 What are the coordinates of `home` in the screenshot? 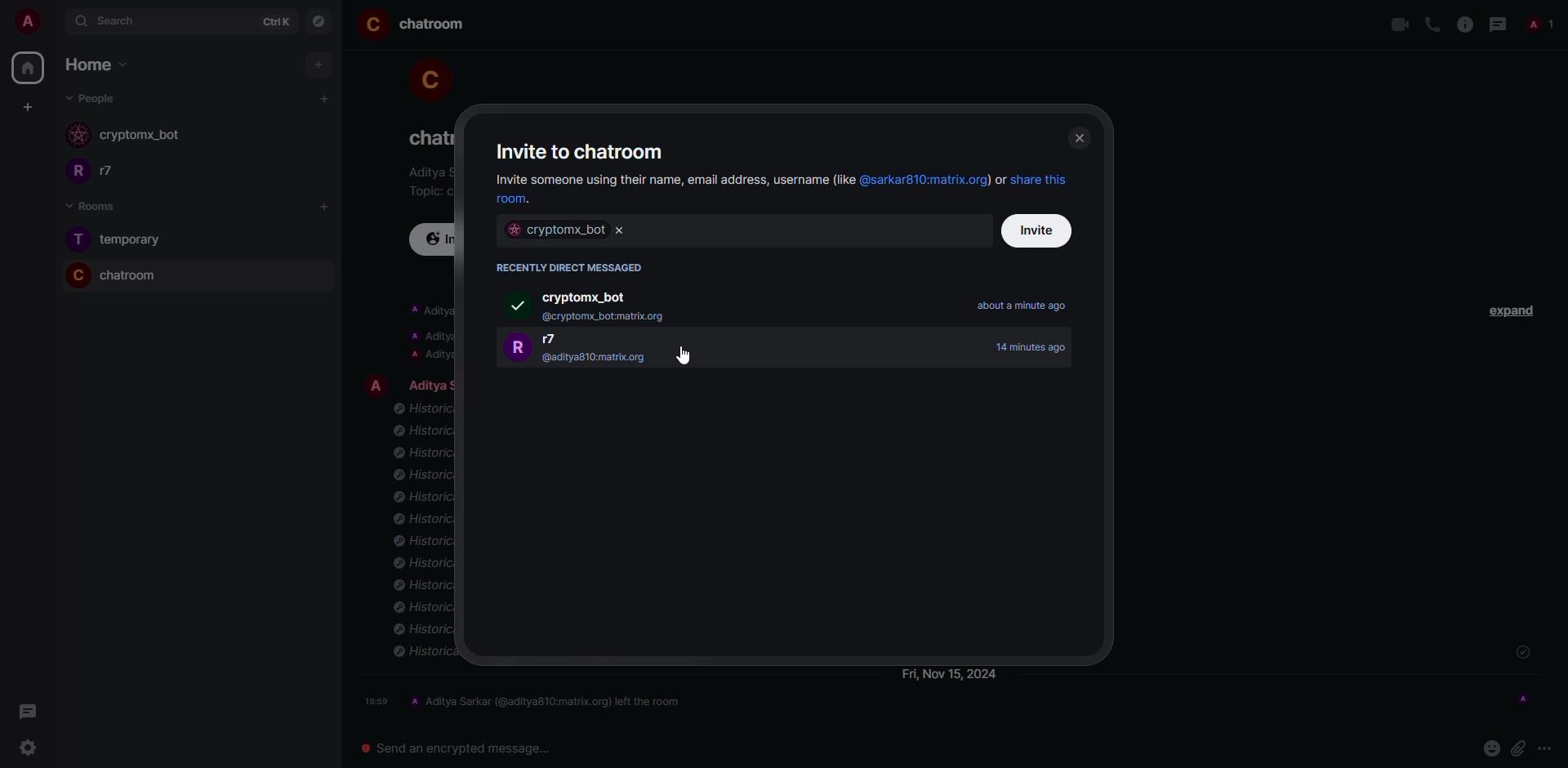 It's located at (27, 68).